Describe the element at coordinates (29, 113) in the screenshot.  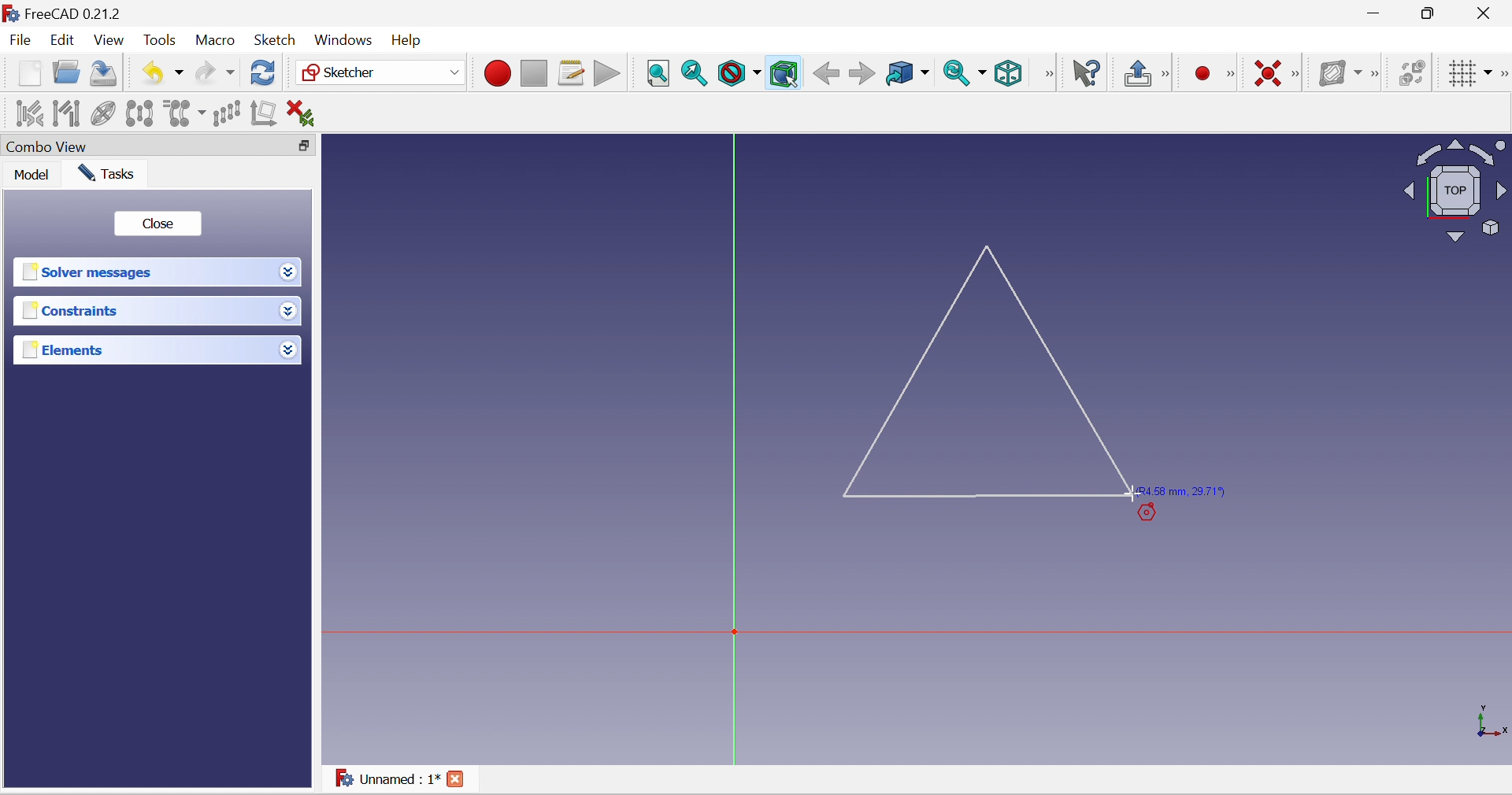
I see `Select associated constraints` at that location.